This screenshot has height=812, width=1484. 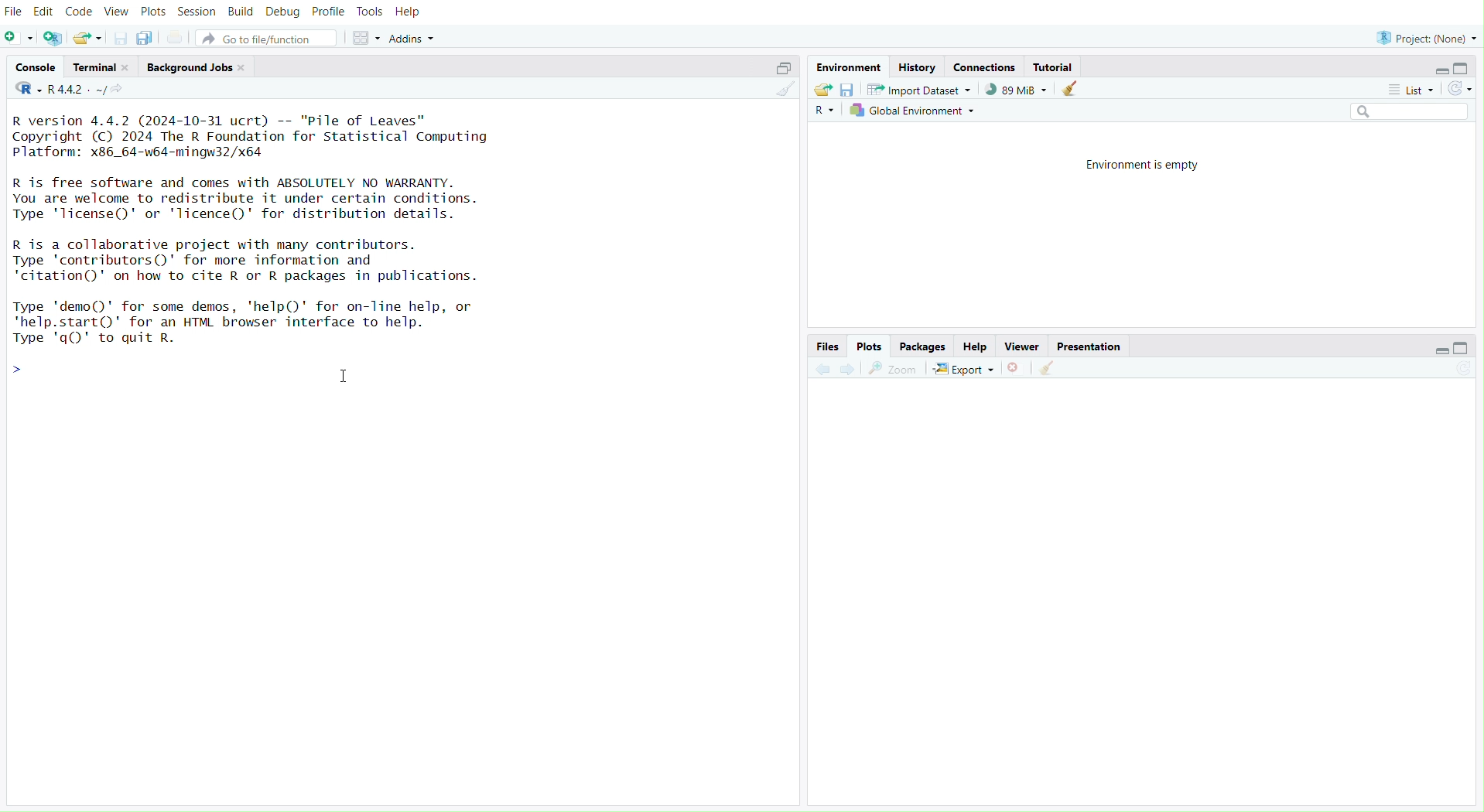 I want to click on R, so click(x=825, y=109).